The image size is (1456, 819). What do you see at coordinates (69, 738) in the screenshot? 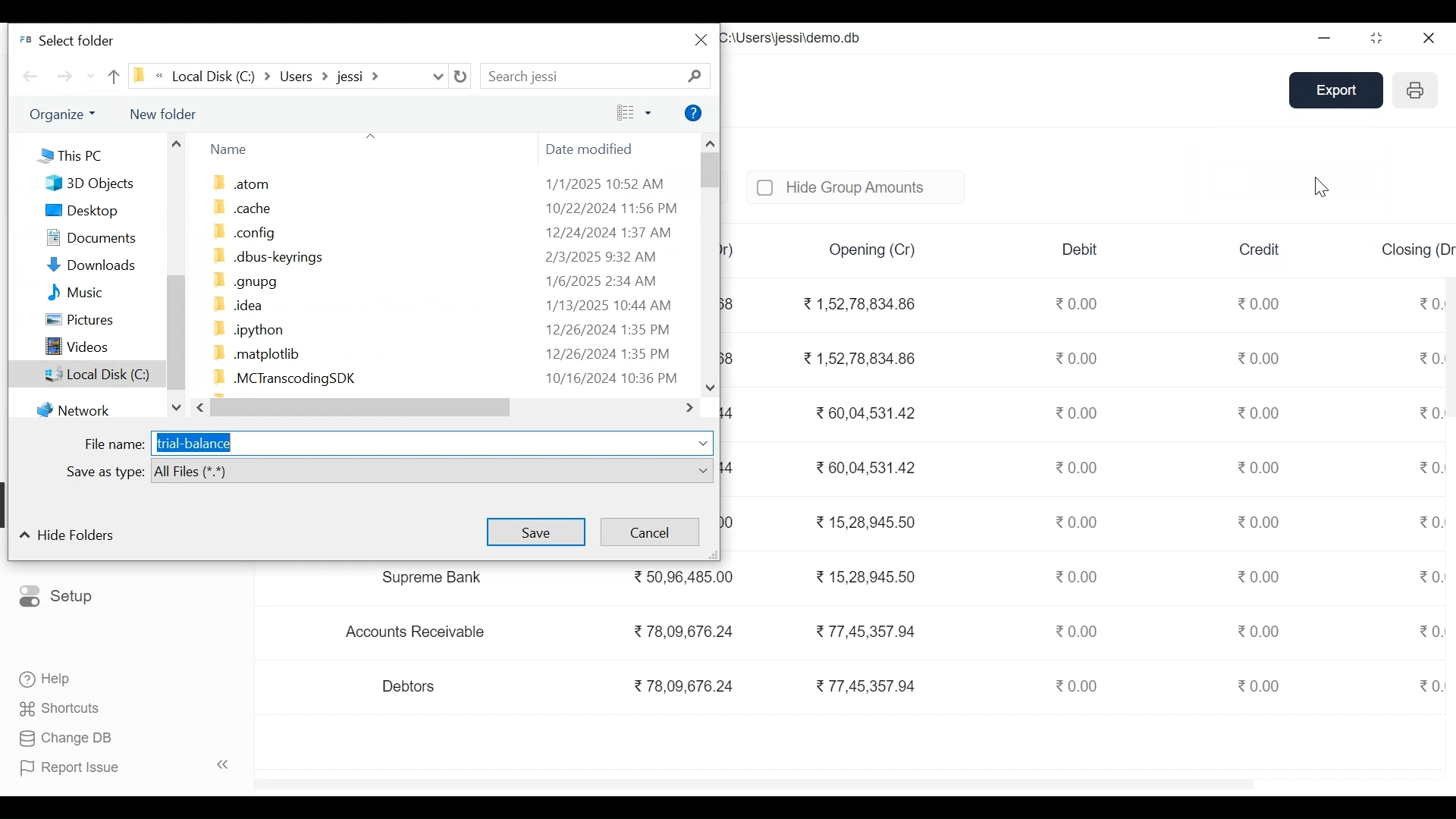
I see `Change DB` at bounding box center [69, 738].